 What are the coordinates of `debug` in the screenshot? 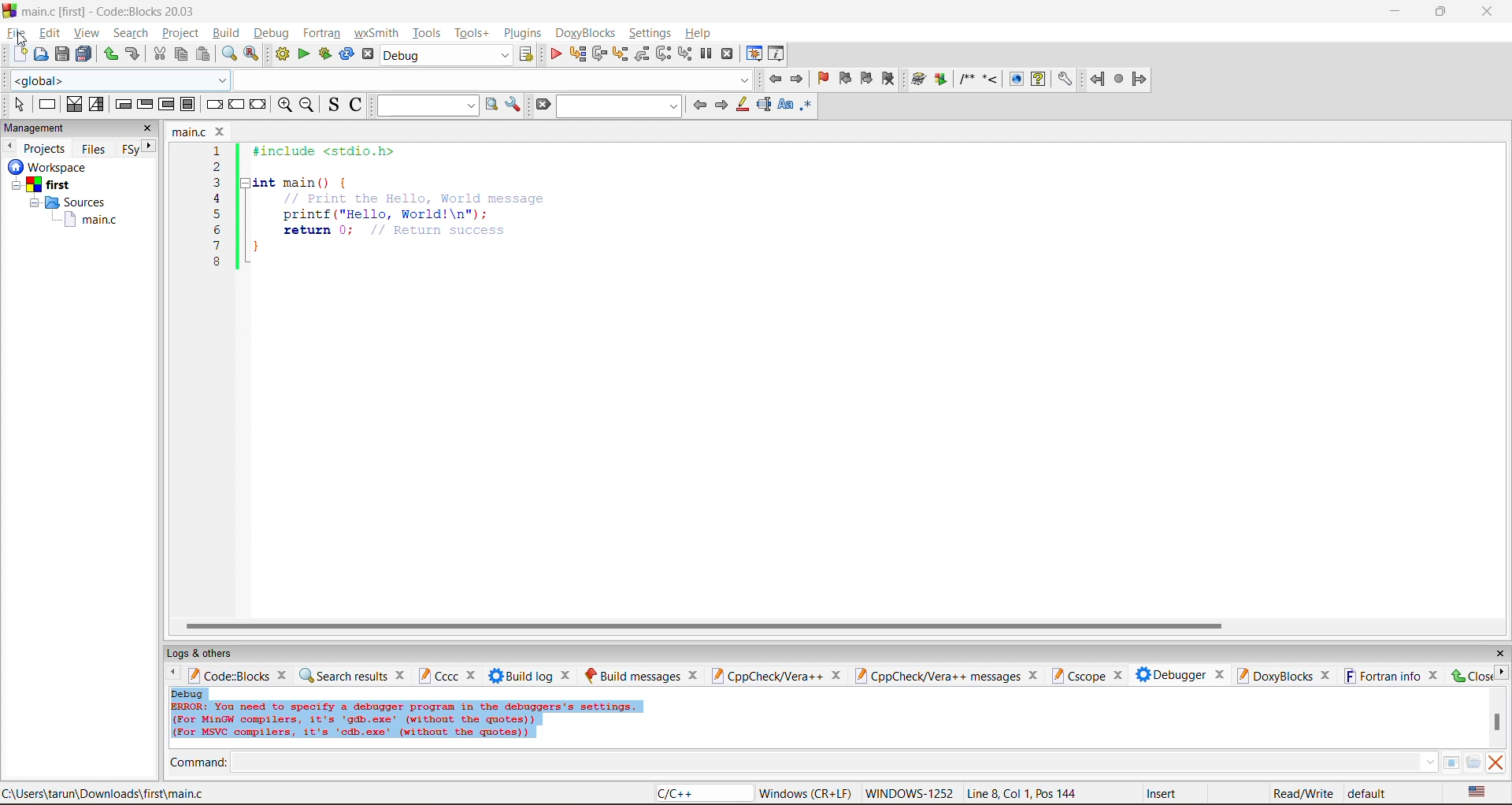 It's located at (188, 693).